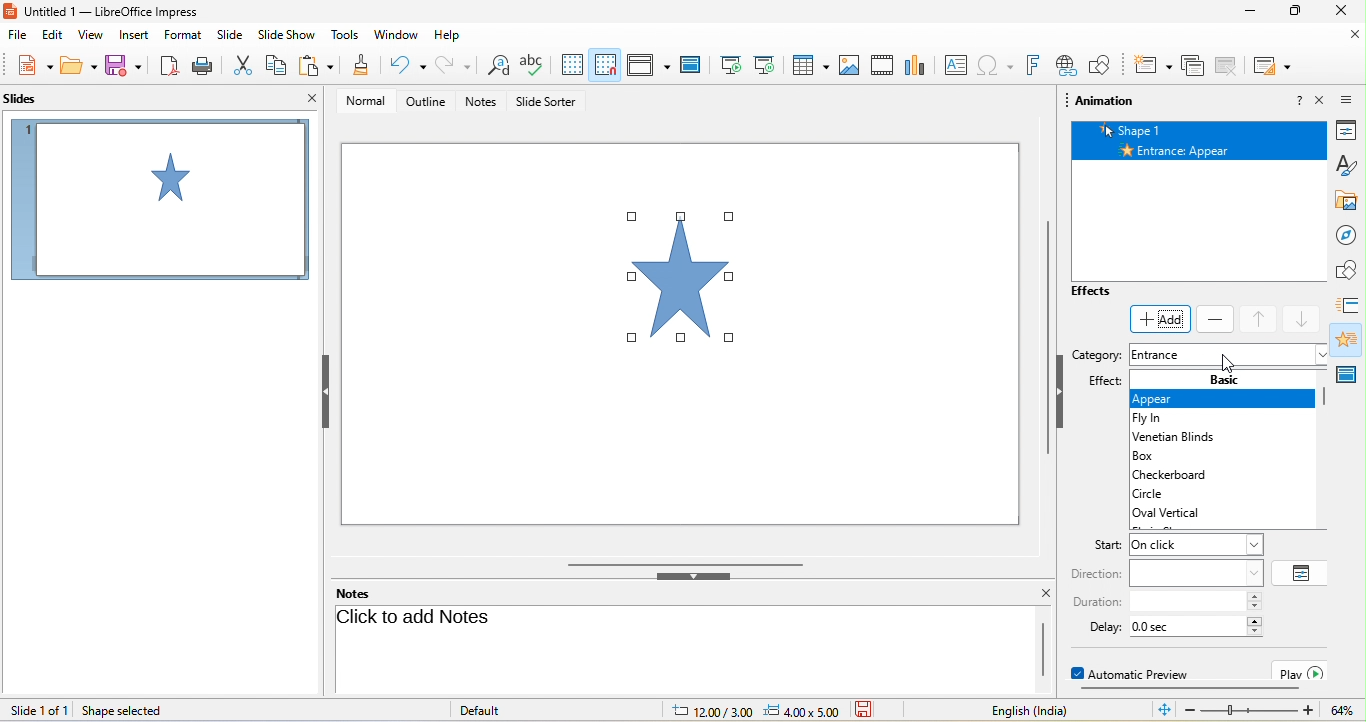 This screenshot has width=1366, height=722. I want to click on open, so click(78, 66).